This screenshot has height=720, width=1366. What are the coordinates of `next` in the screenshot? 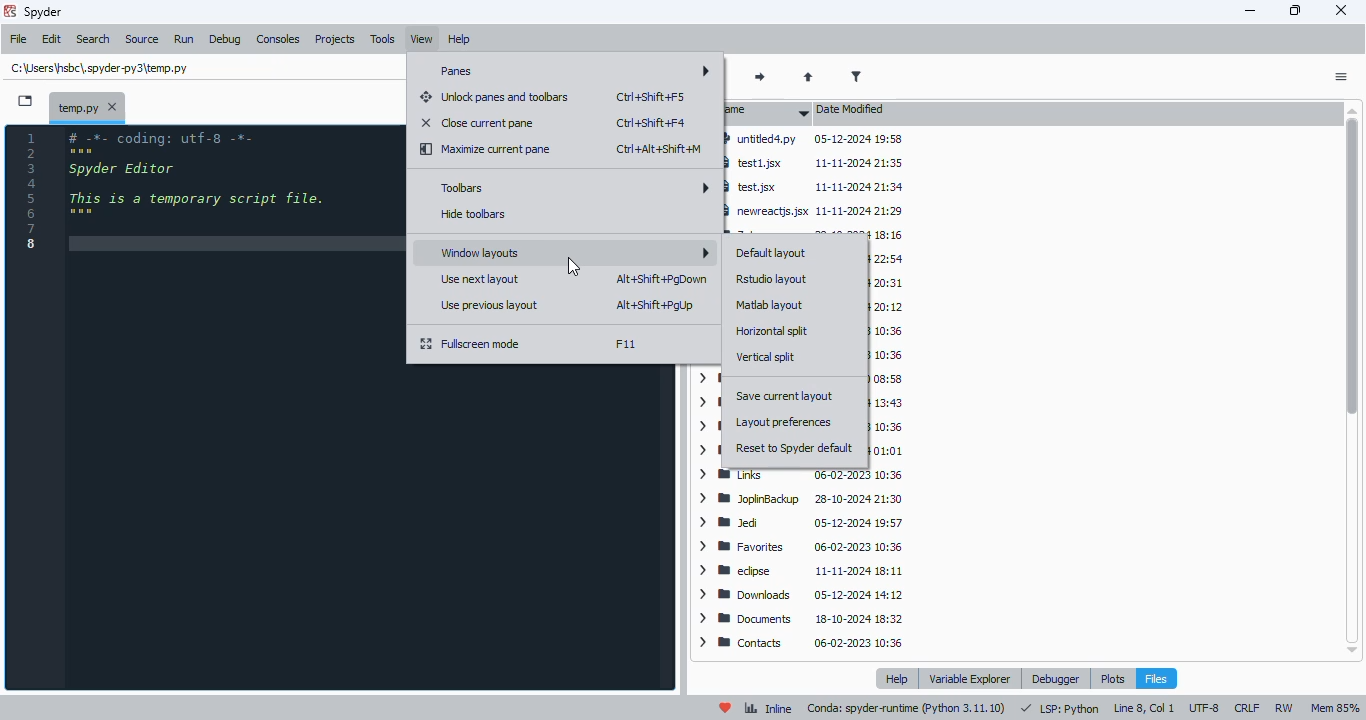 It's located at (760, 78).